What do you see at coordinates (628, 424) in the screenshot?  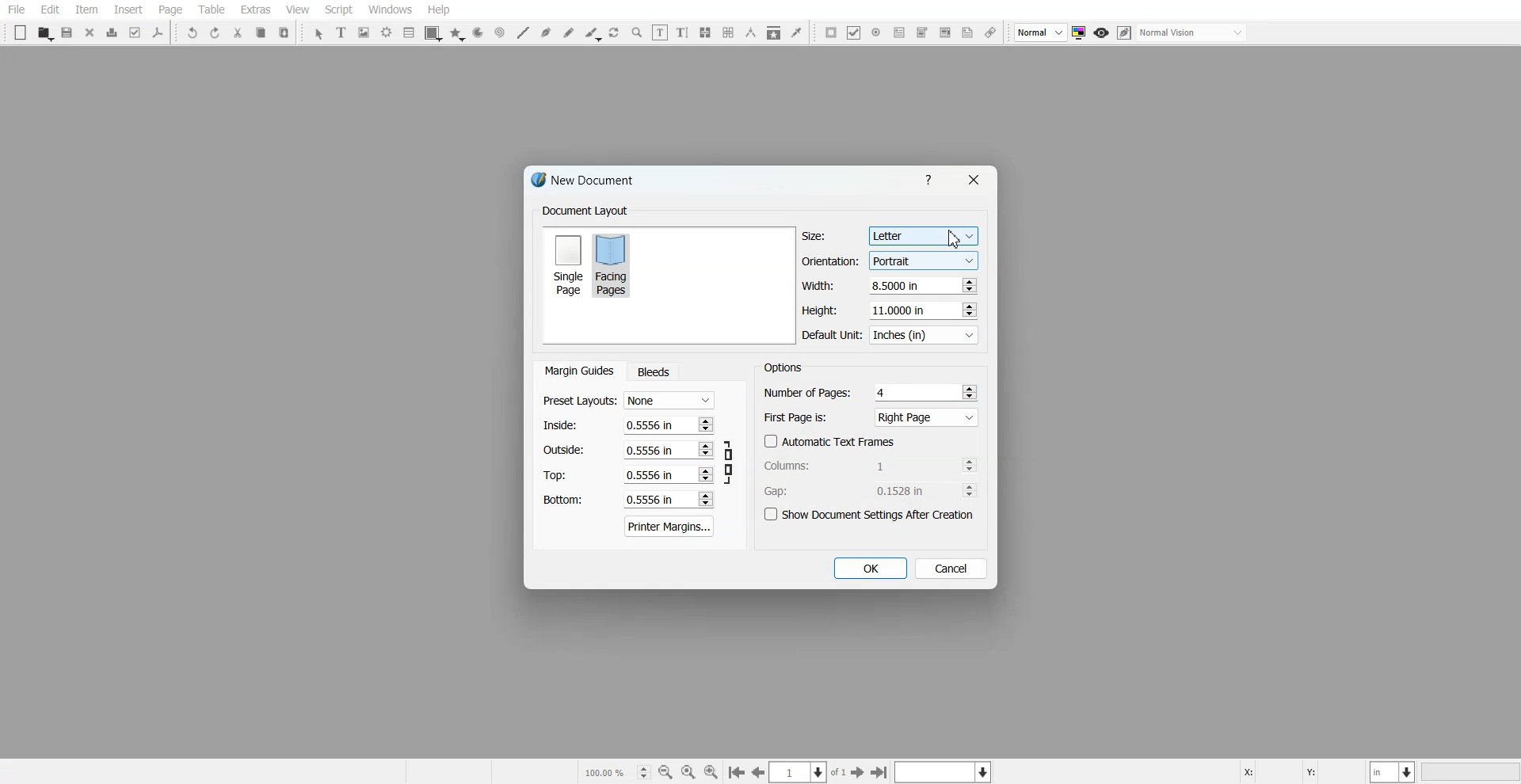 I see `Left margin adjuster` at bounding box center [628, 424].